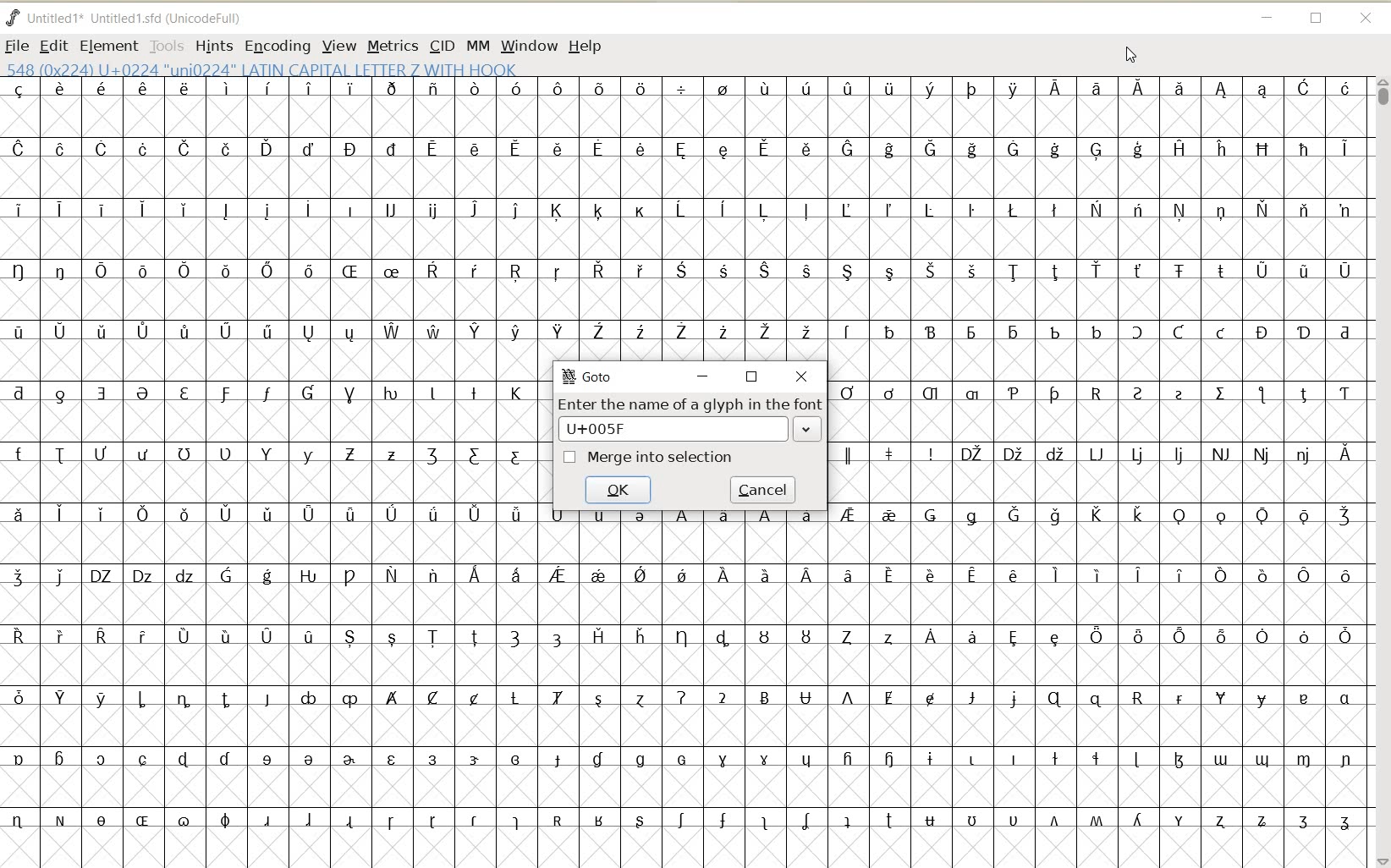 Image resolution: width=1391 pixels, height=868 pixels. Describe the element at coordinates (108, 47) in the screenshot. I see `ELEMENT` at that location.